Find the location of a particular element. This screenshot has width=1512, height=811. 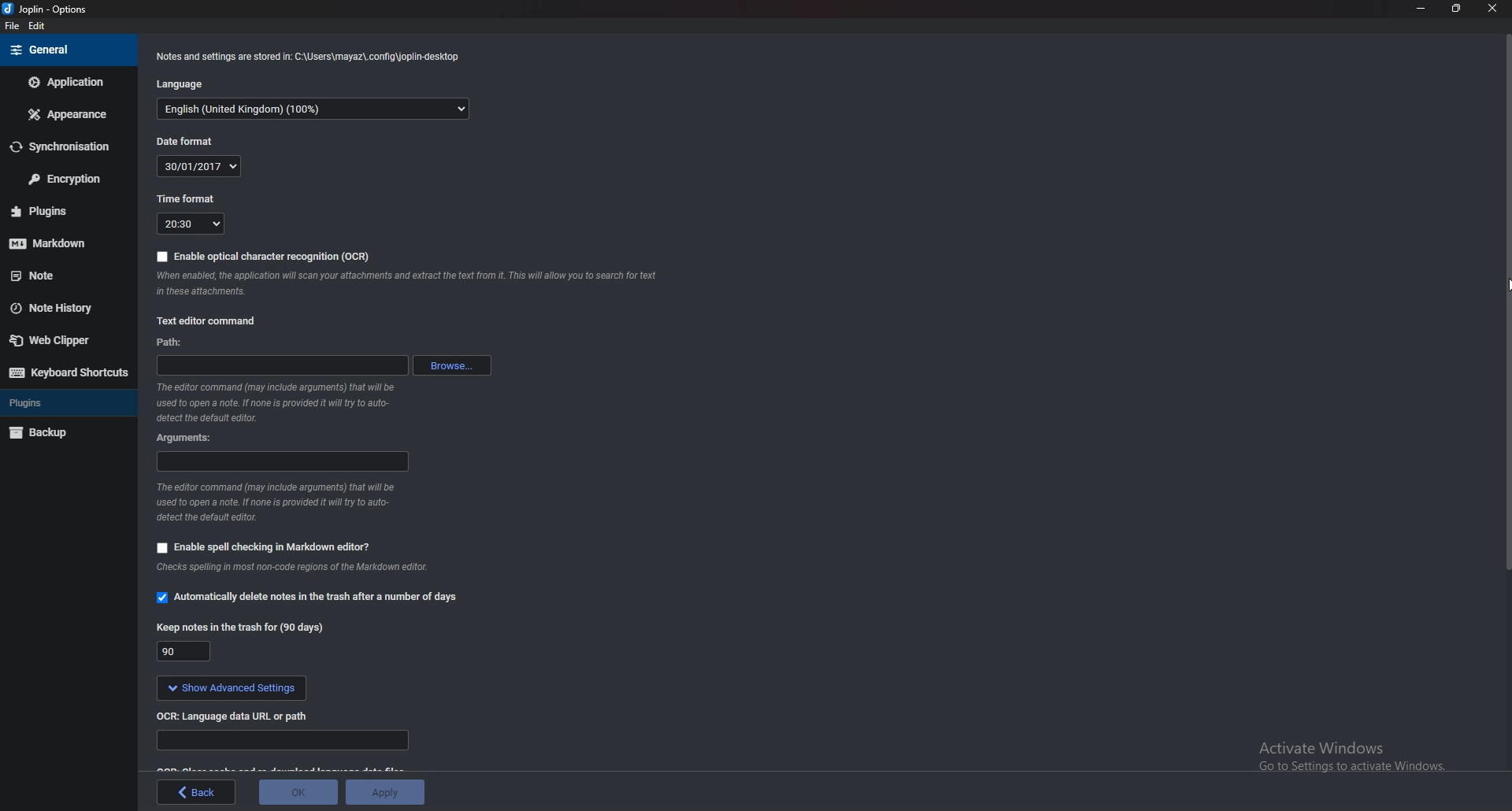

General is located at coordinates (67, 50).